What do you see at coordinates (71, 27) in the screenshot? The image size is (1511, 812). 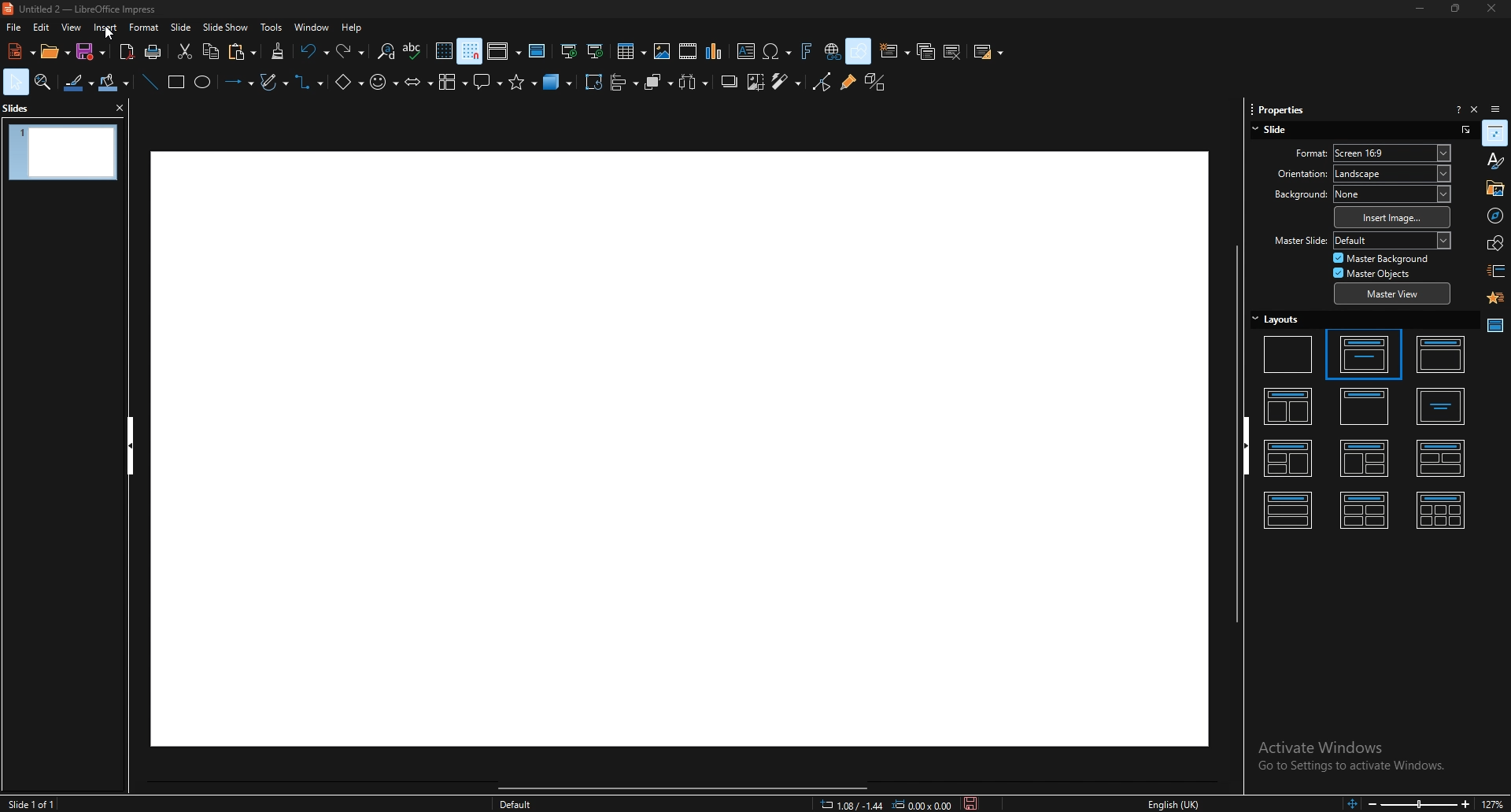 I see `view` at bounding box center [71, 27].